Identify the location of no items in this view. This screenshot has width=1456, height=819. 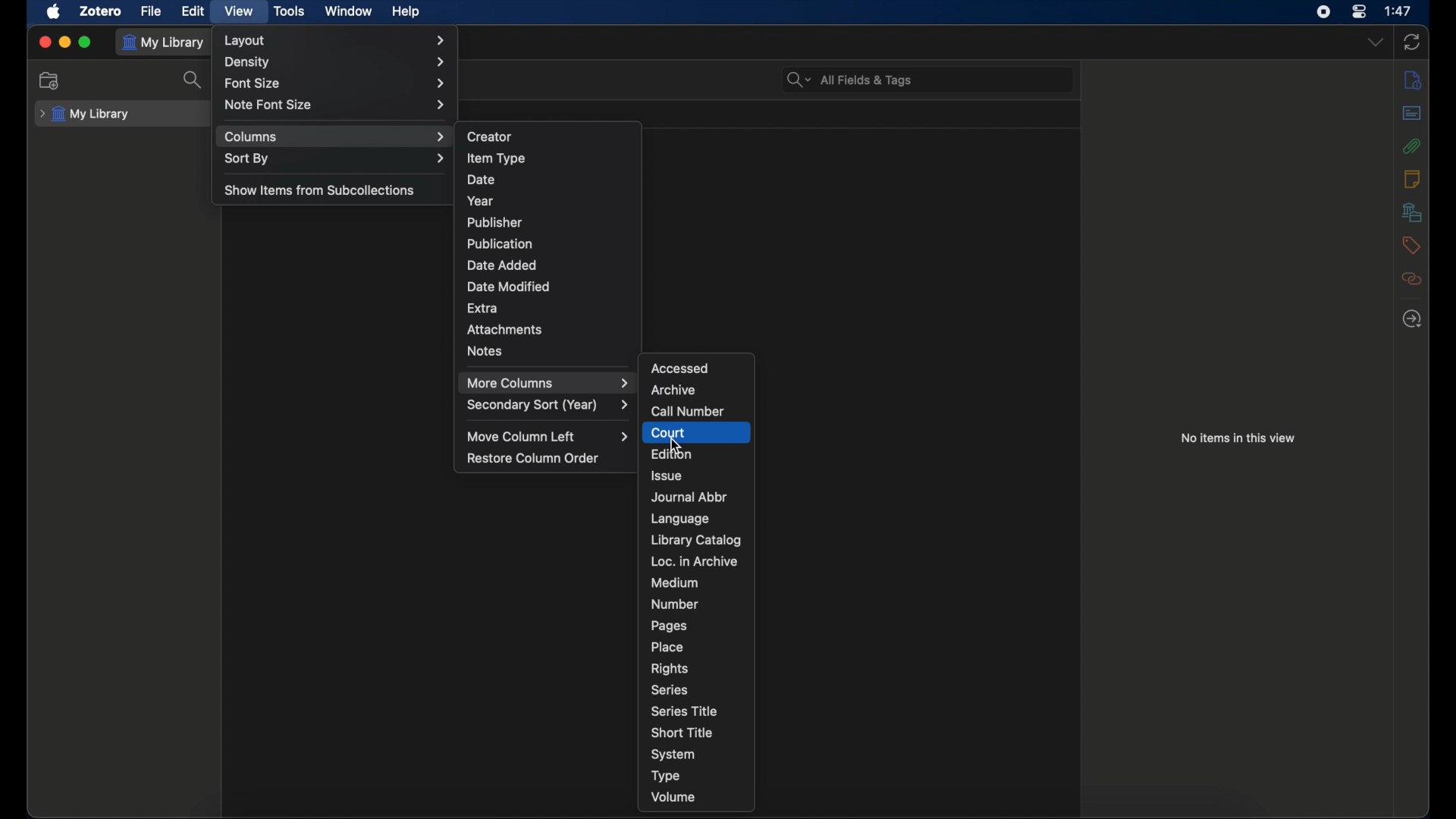
(1238, 438).